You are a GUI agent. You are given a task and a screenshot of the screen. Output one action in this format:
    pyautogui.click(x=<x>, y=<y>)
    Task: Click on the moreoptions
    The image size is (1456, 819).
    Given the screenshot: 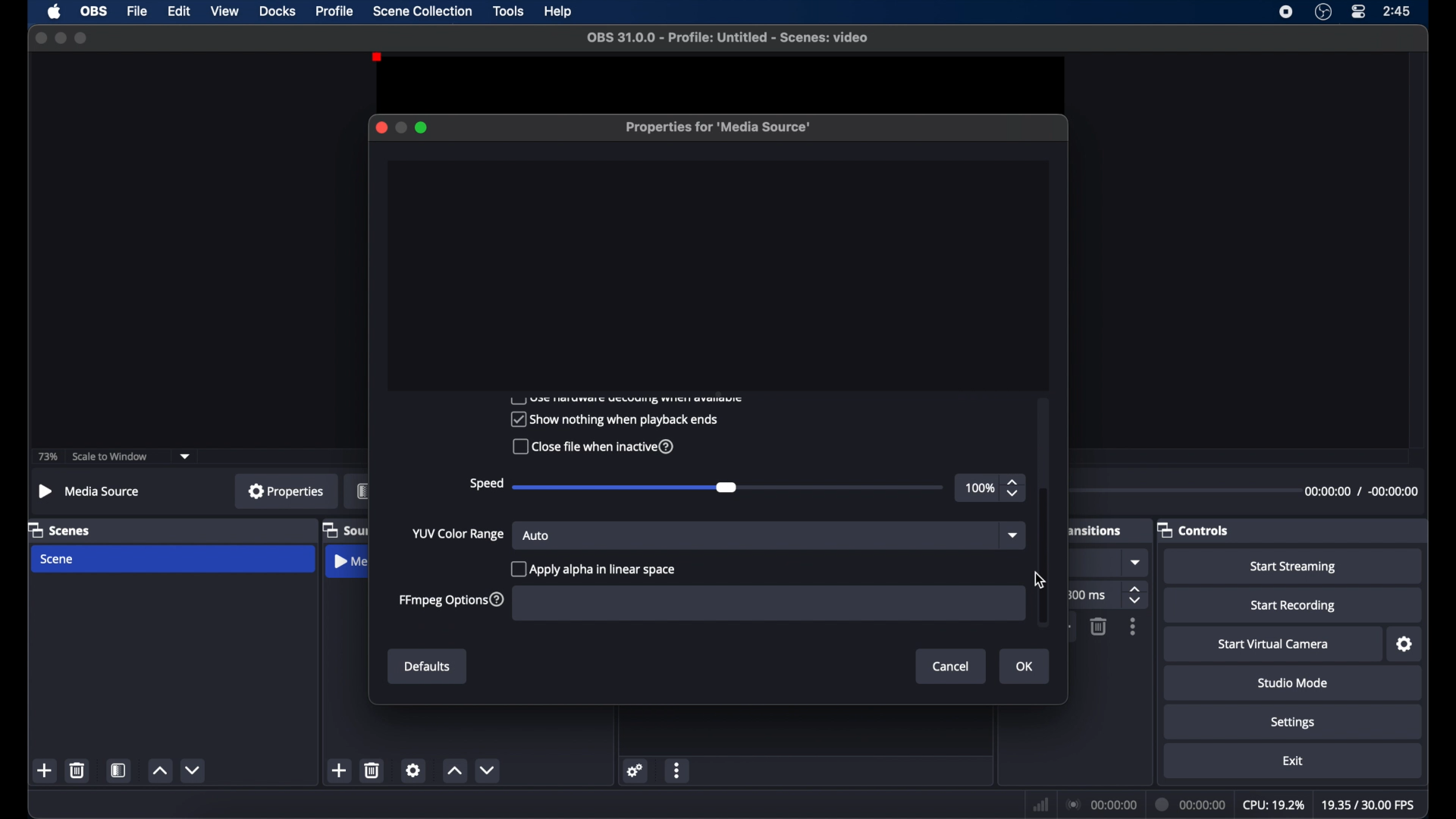 What is the action you would take?
    pyautogui.click(x=677, y=771)
    